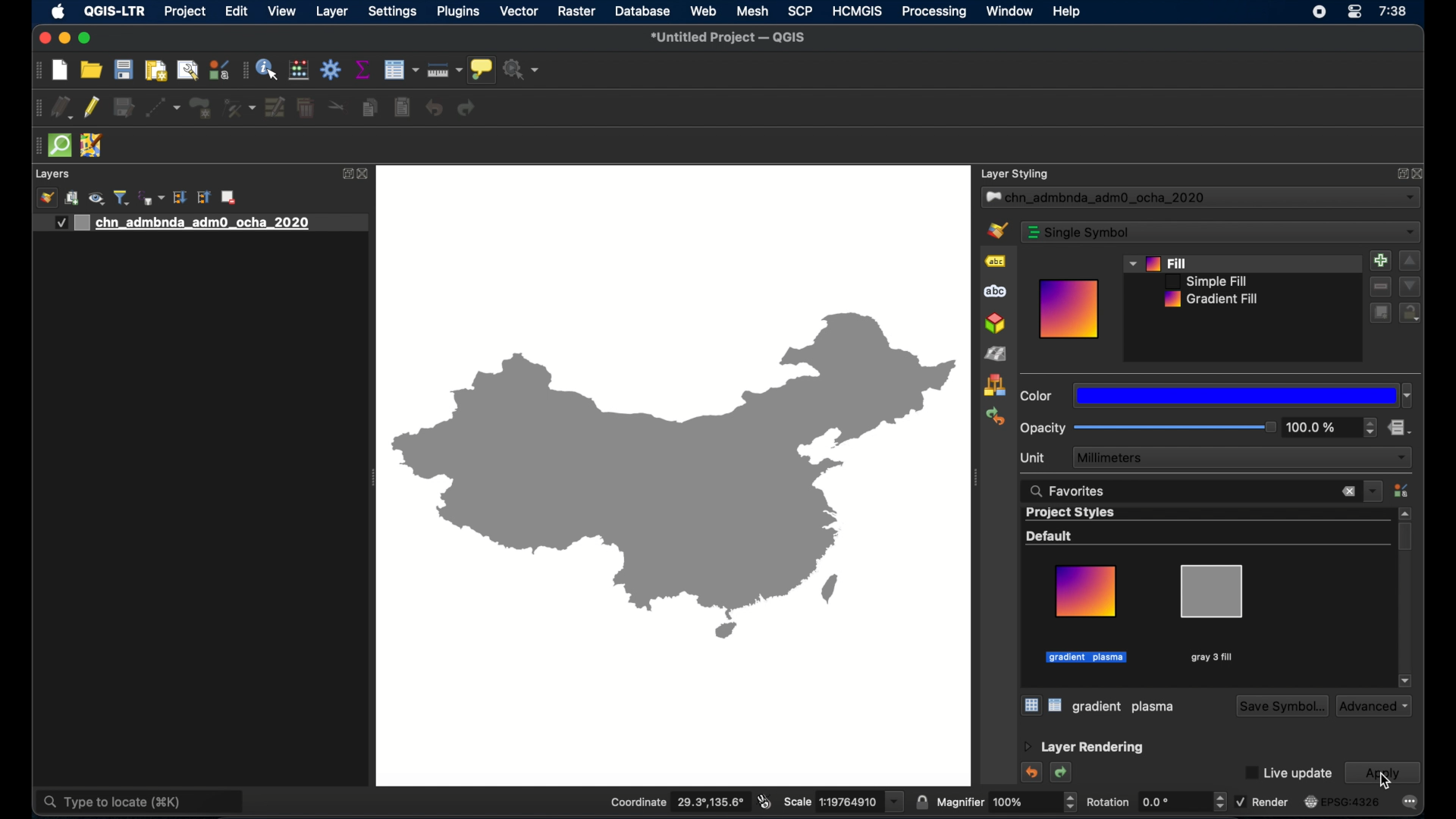 This screenshot has width=1456, height=819. Describe the element at coordinates (1034, 773) in the screenshot. I see `undo` at that location.